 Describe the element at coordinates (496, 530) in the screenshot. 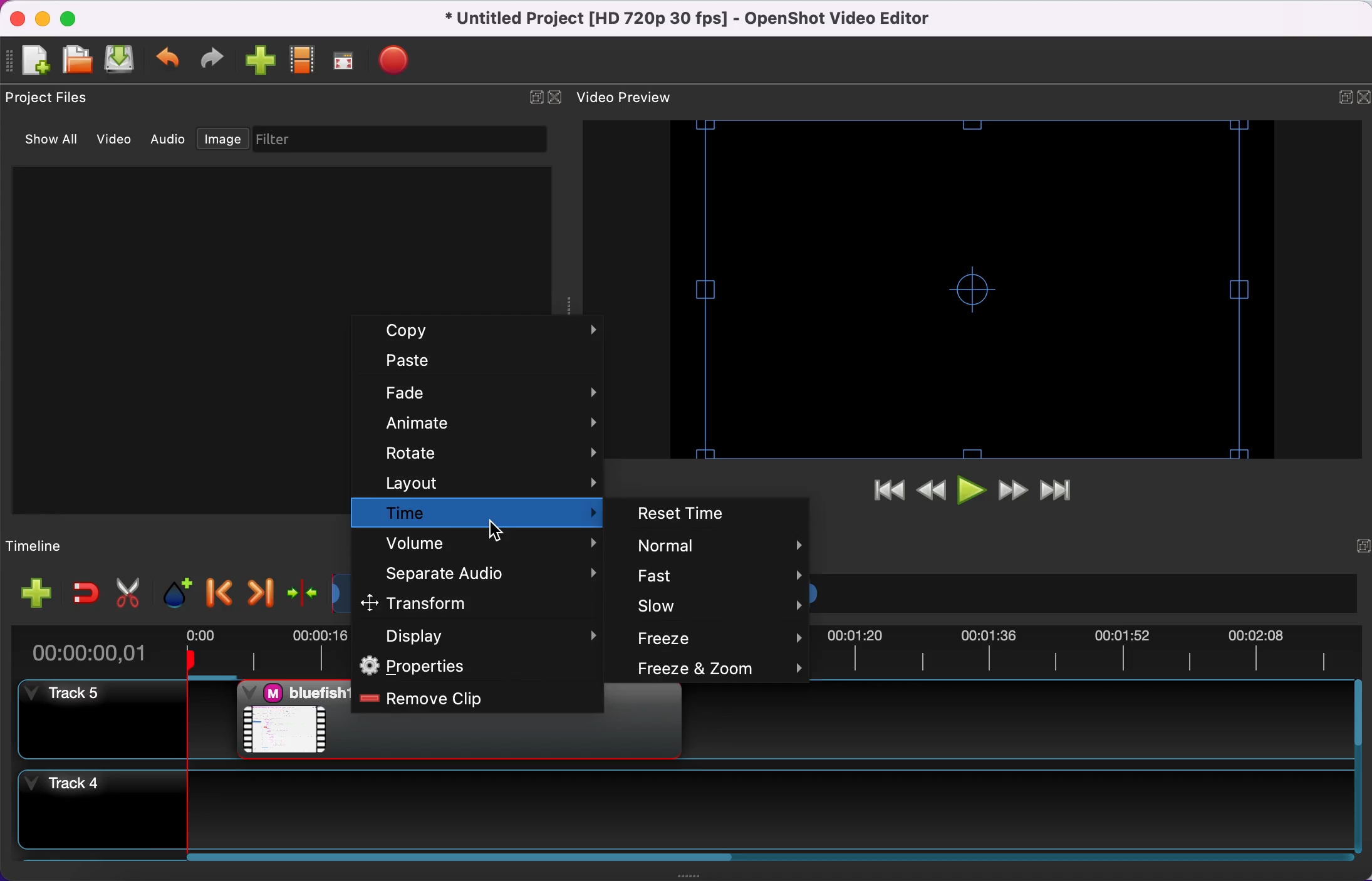

I see `Cursor` at that location.